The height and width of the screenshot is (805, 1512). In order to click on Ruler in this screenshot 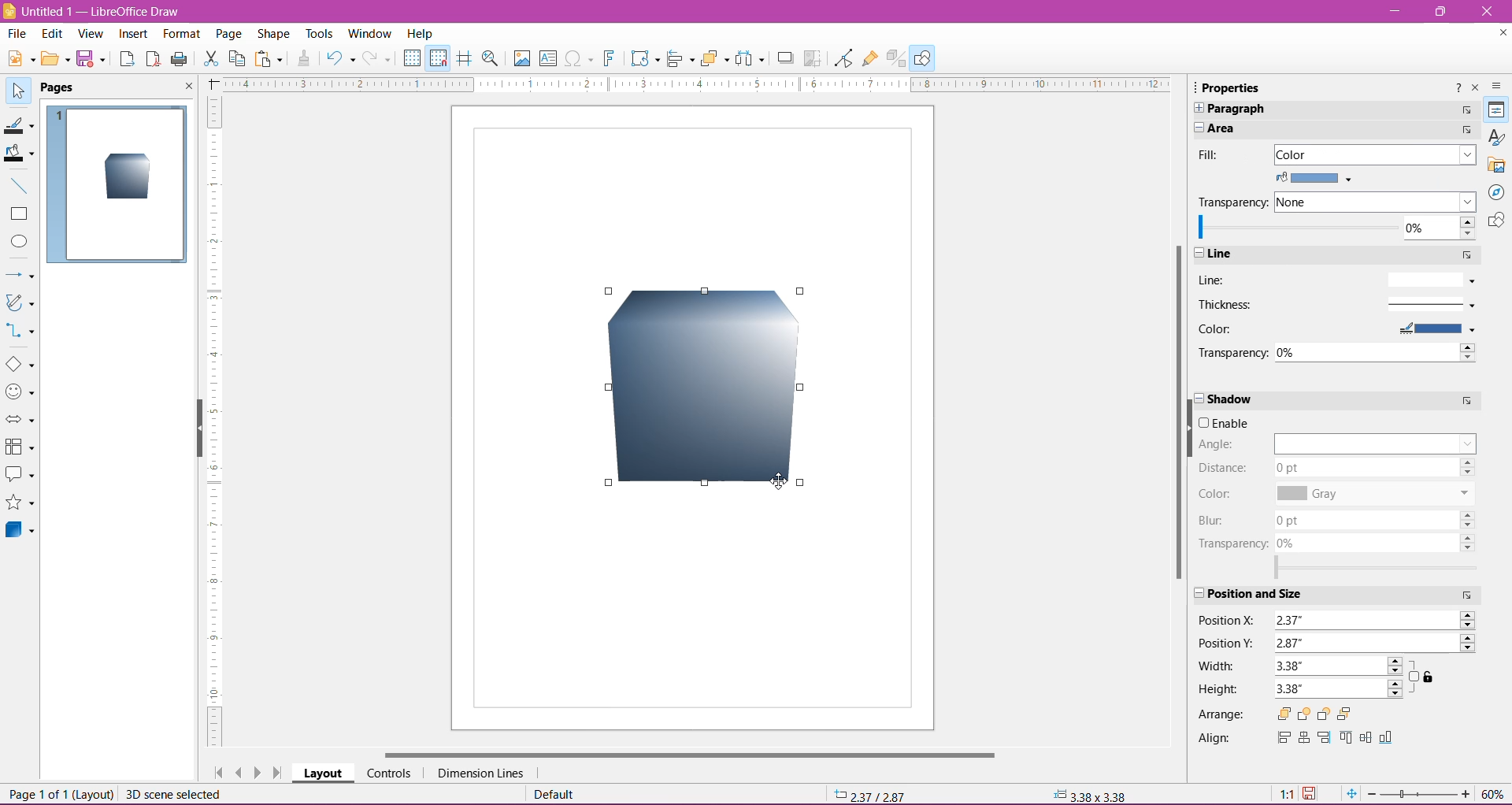, I will do `click(213, 423)`.